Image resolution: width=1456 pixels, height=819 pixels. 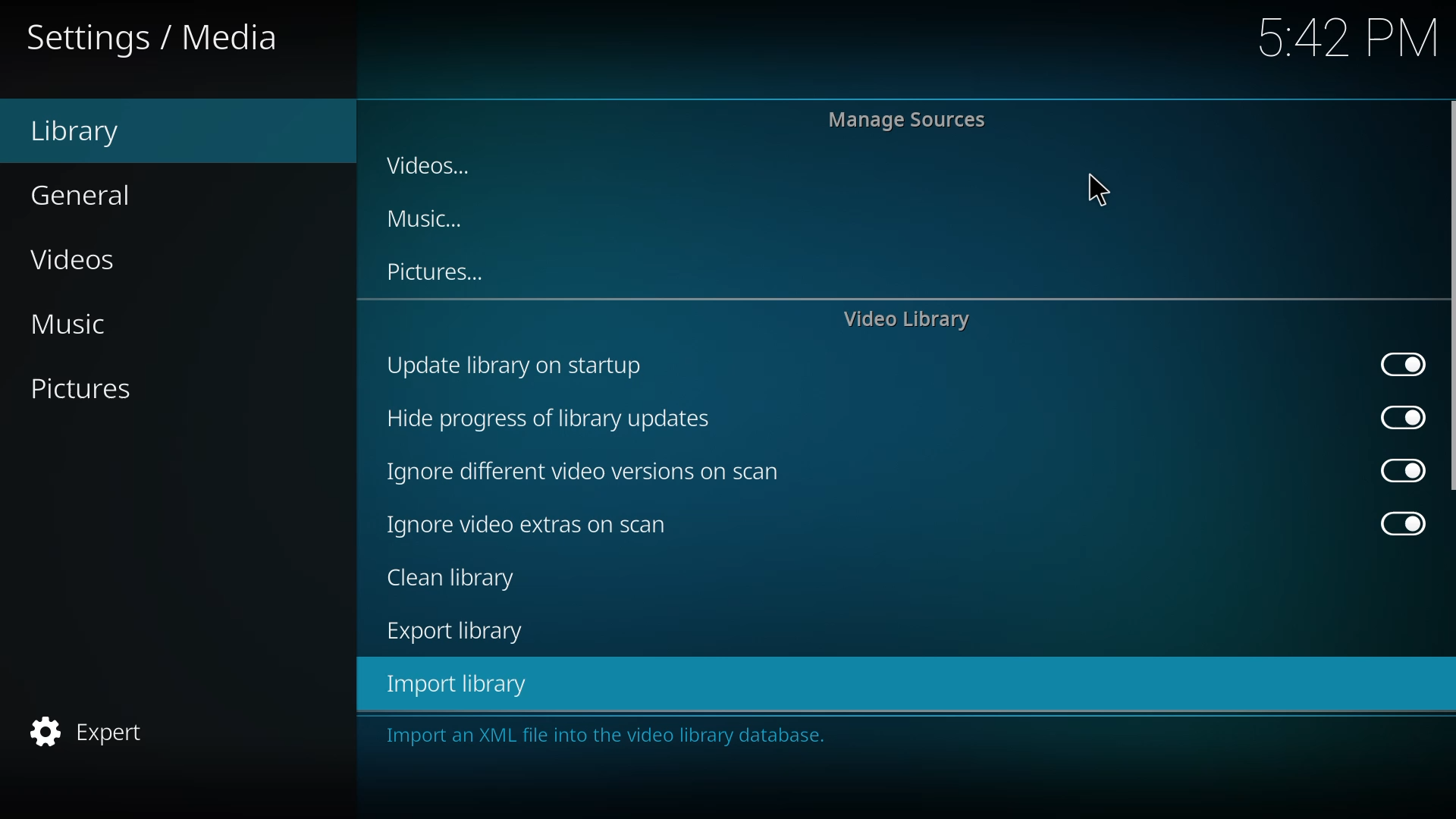 What do you see at coordinates (156, 37) in the screenshot?
I see `settings media` at bounding box center [156, 37].